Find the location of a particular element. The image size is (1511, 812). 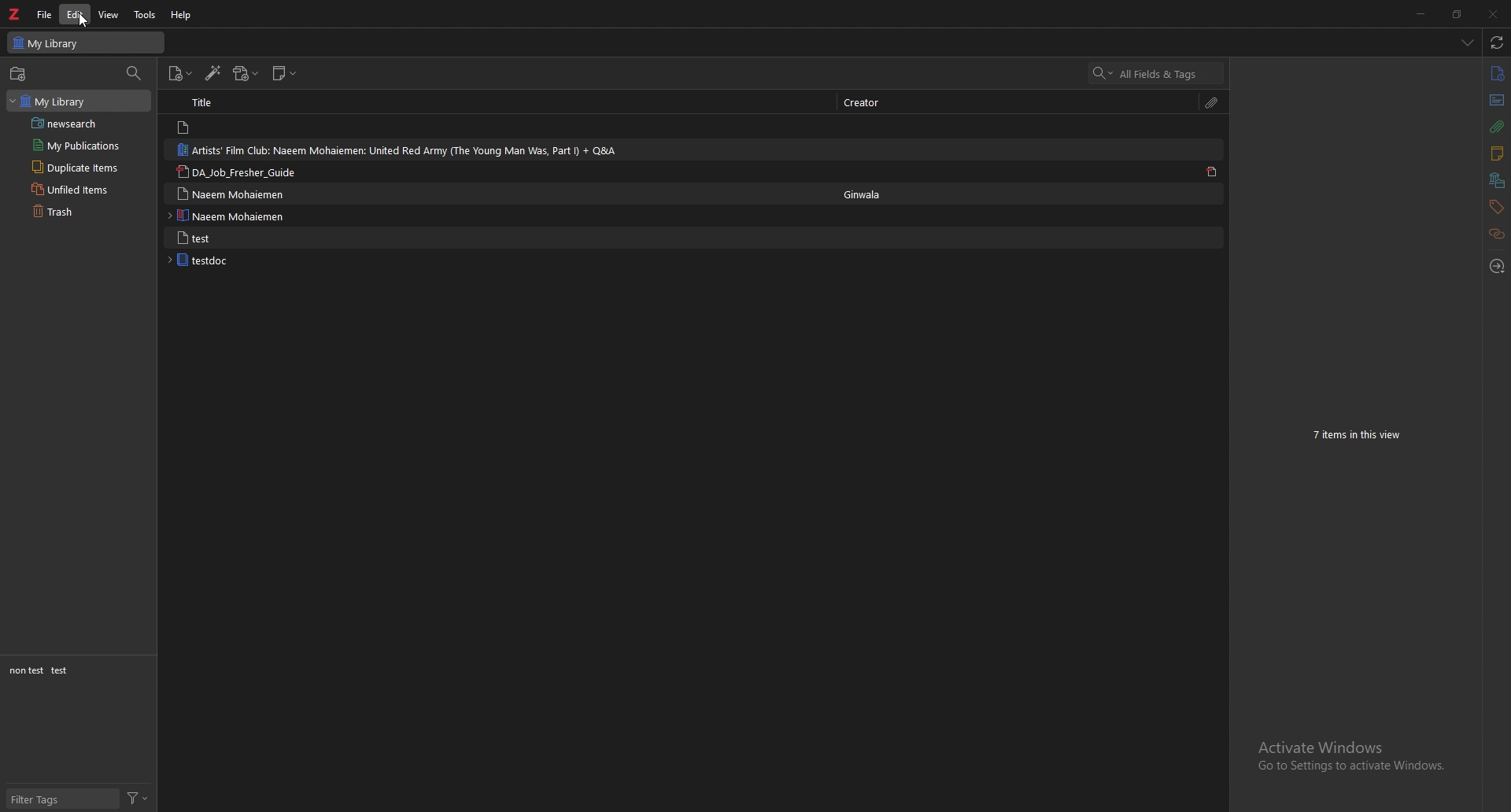

title is located at coordinates (218, 103).